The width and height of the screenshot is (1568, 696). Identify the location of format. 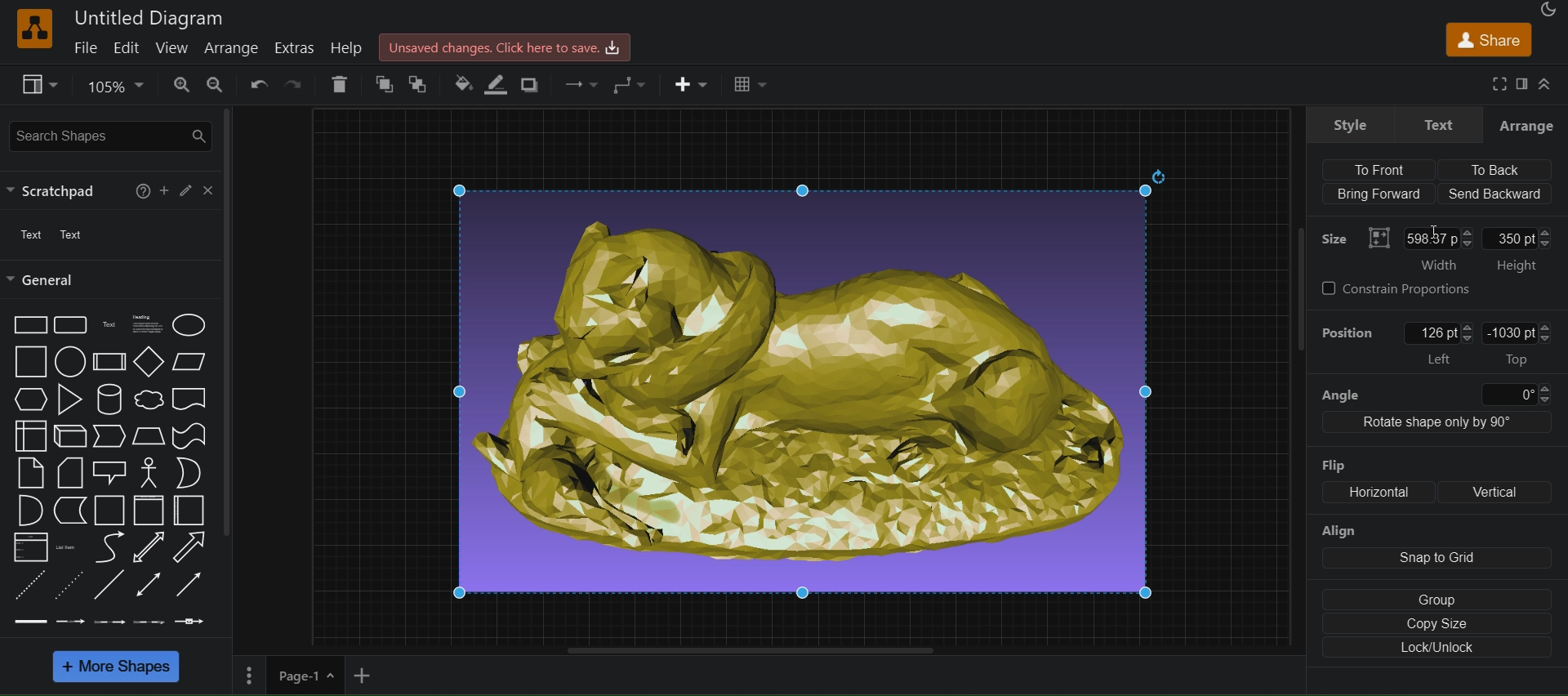
(1521, 82).